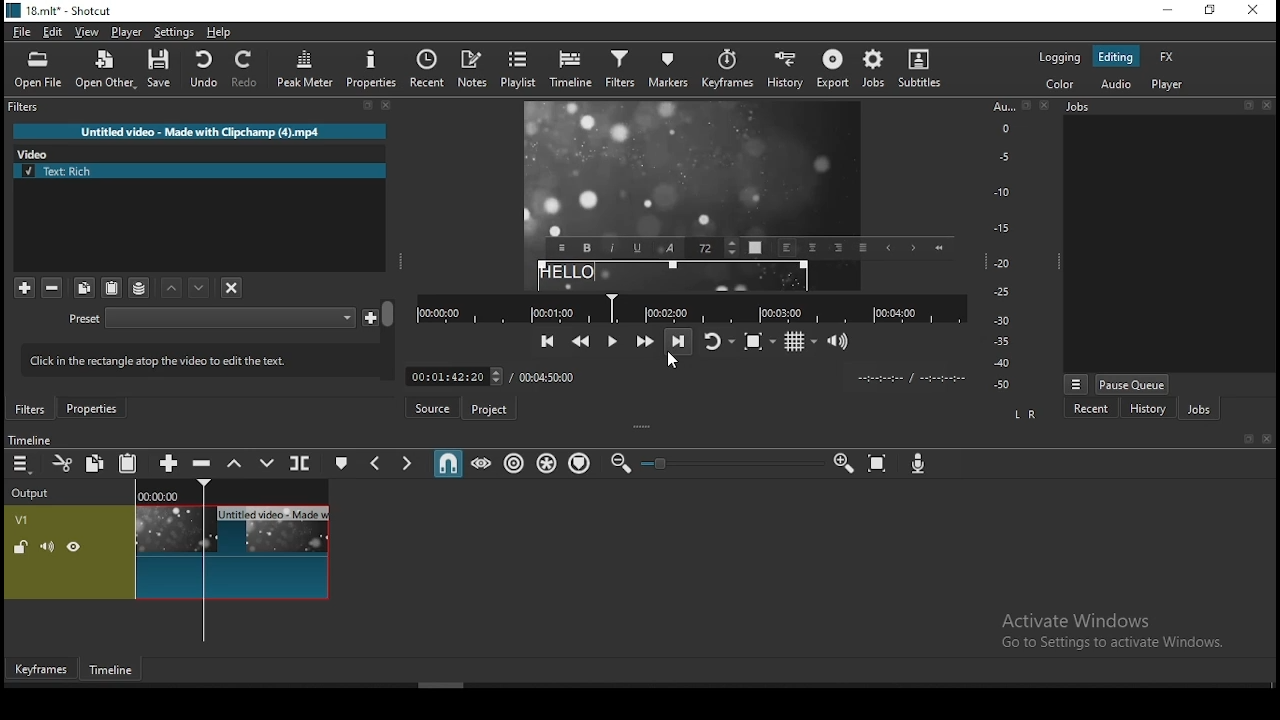  I want to click on timeline, so click(571, 71).